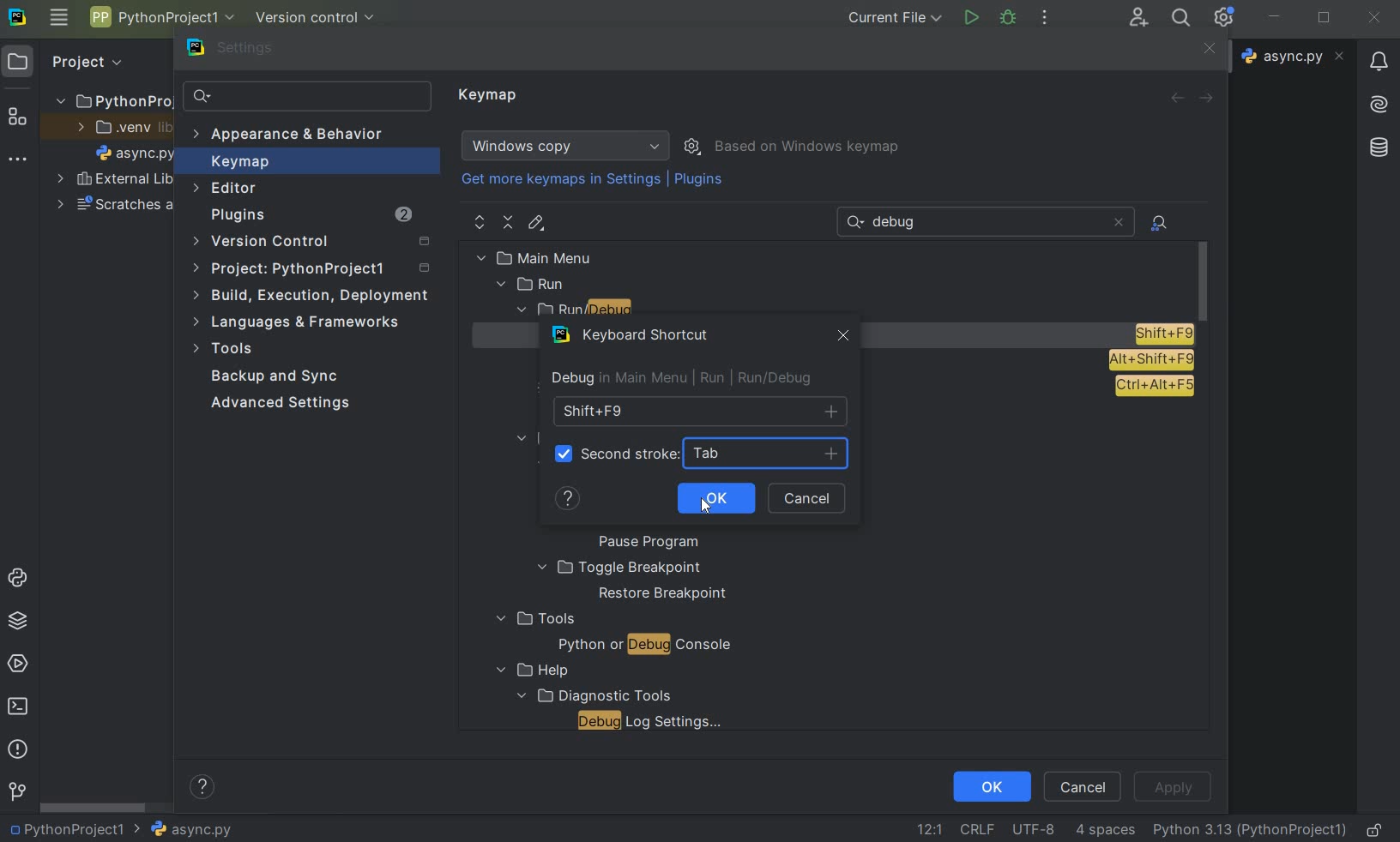 Image resolution: width=1400 pixels, height=842 pixels. What do you see at coordinates (970, 18) in the screenshot?
I see `run` at bounding box center [970, 18].